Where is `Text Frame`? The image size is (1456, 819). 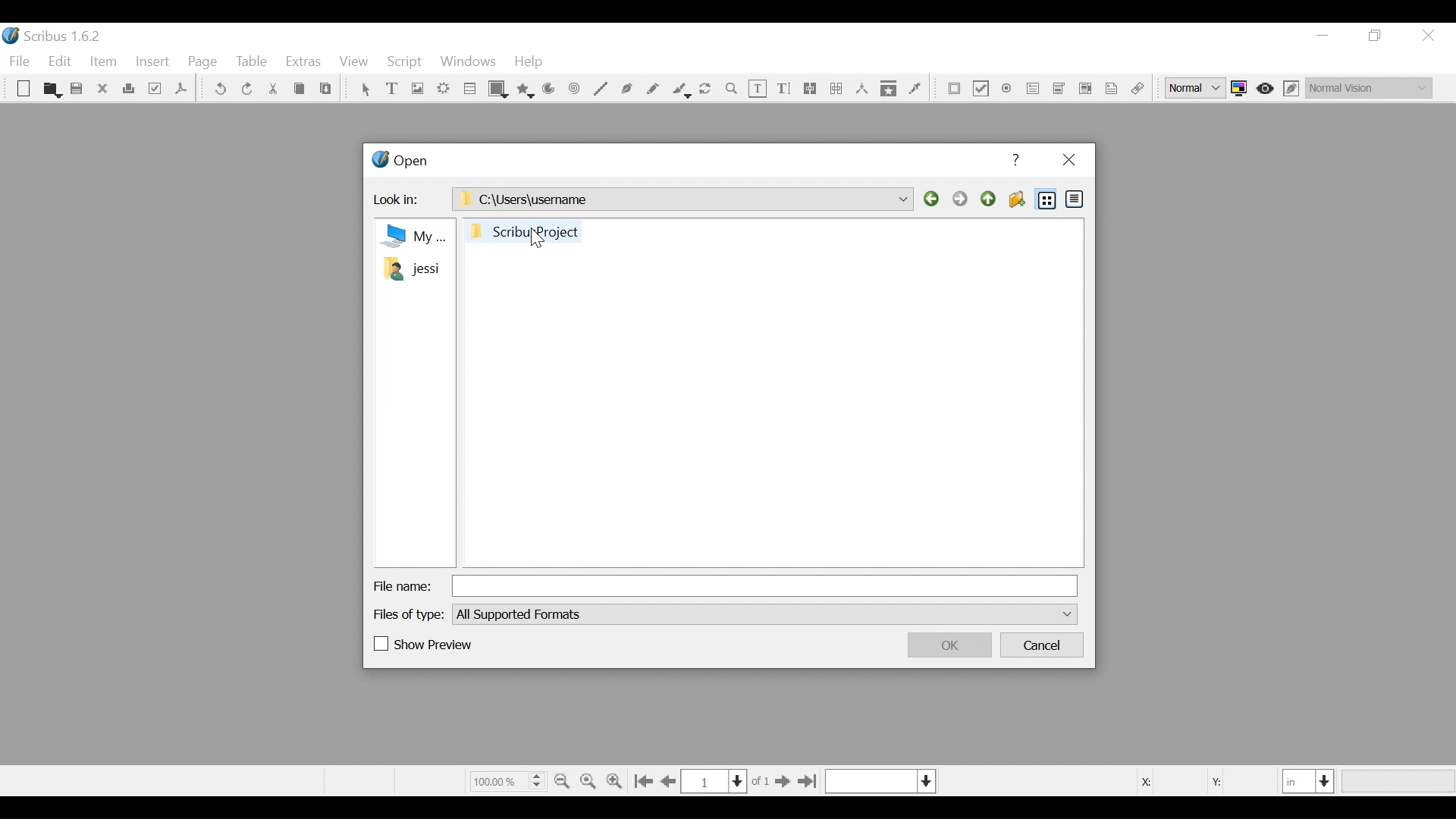
Text Frame is located at coordinates (394, 89).